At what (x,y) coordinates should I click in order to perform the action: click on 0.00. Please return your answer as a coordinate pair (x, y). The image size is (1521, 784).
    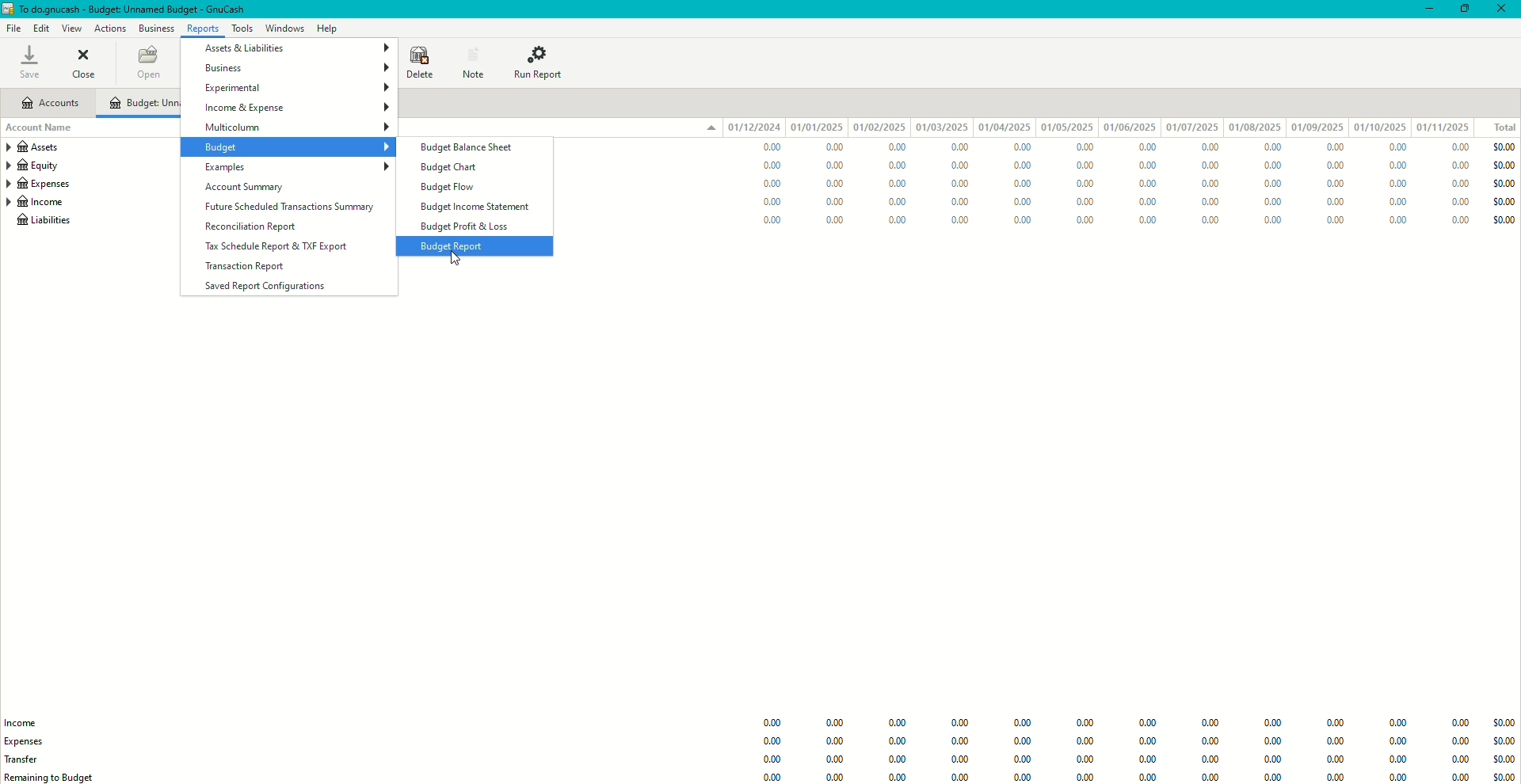
    Looking at the image, I should click on (1458, 722).